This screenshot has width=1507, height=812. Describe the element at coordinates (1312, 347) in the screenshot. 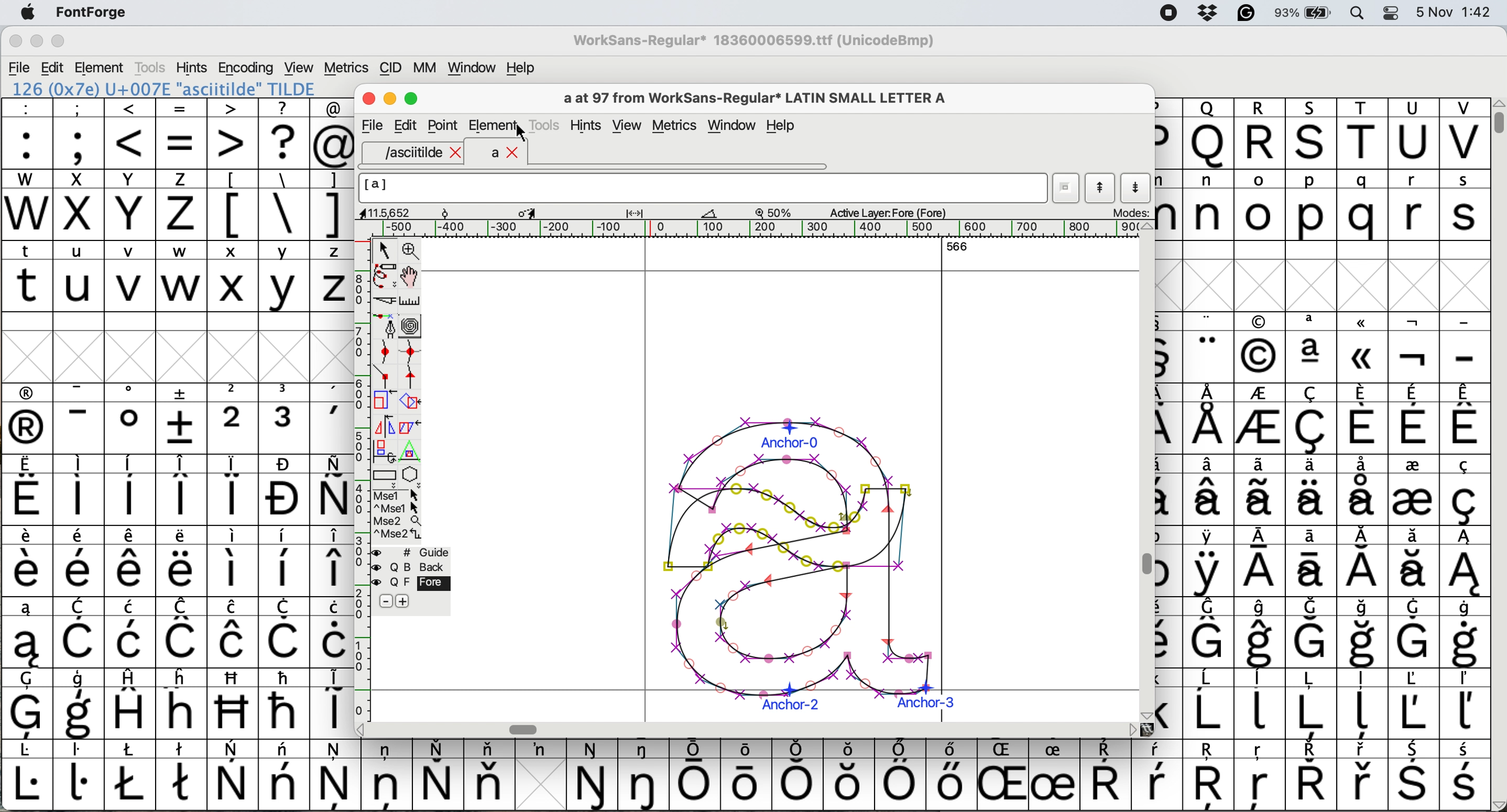

I see `symbol` at that location.